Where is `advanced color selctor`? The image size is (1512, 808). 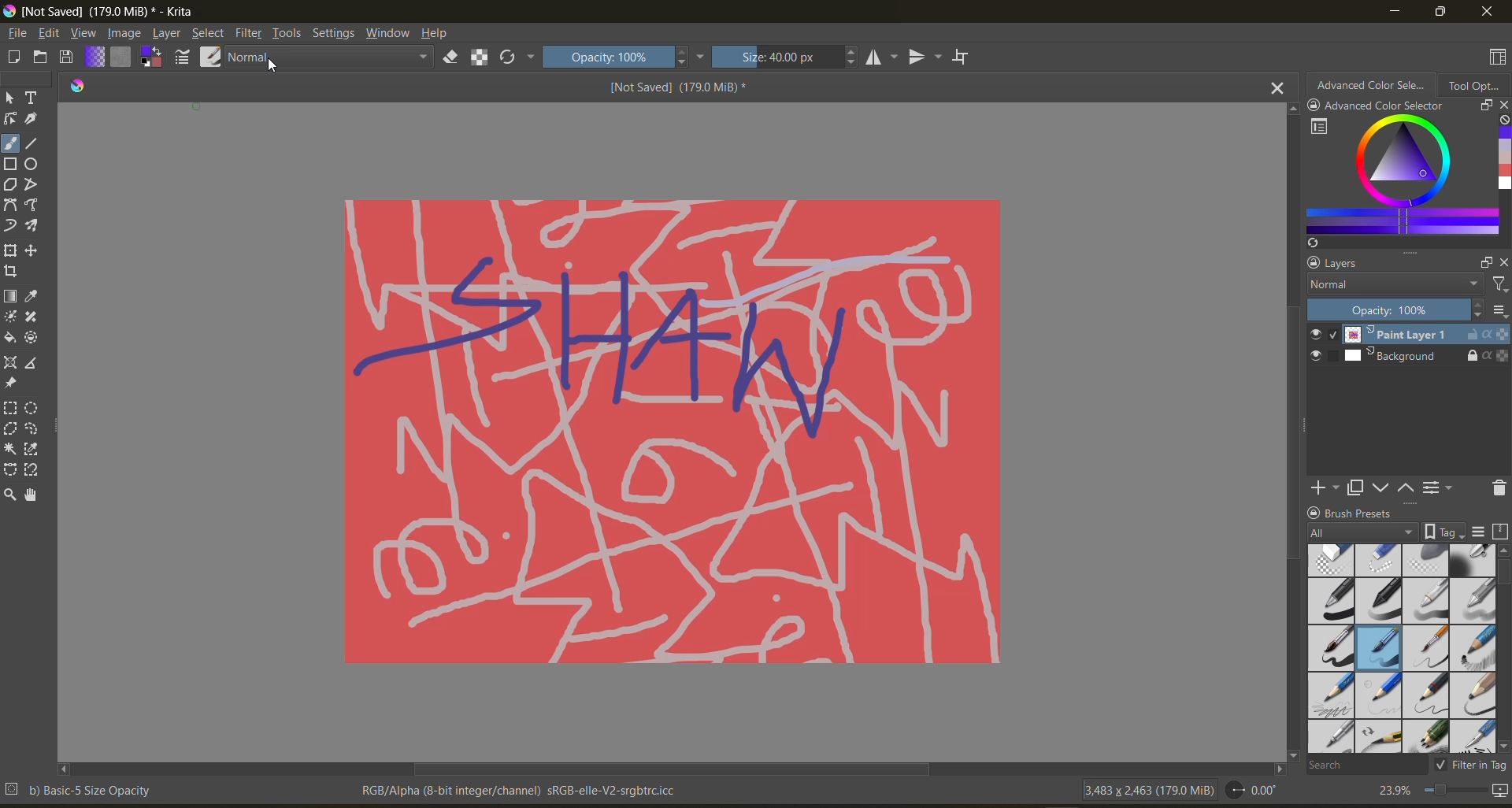
advanced color selctor is located at coordinates (1377, 105).